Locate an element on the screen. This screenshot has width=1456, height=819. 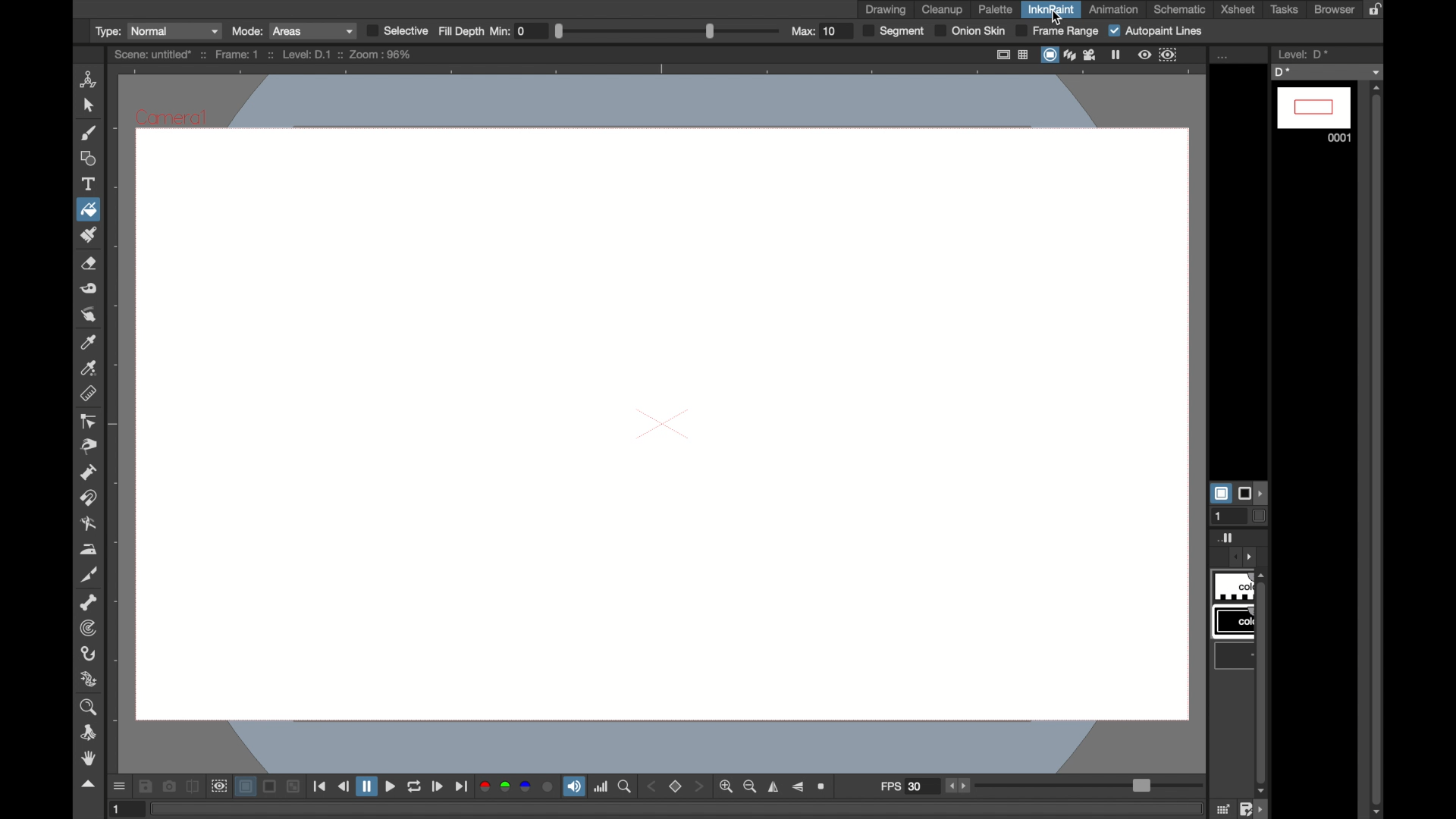
slider is located at coordinates (1089, 783).